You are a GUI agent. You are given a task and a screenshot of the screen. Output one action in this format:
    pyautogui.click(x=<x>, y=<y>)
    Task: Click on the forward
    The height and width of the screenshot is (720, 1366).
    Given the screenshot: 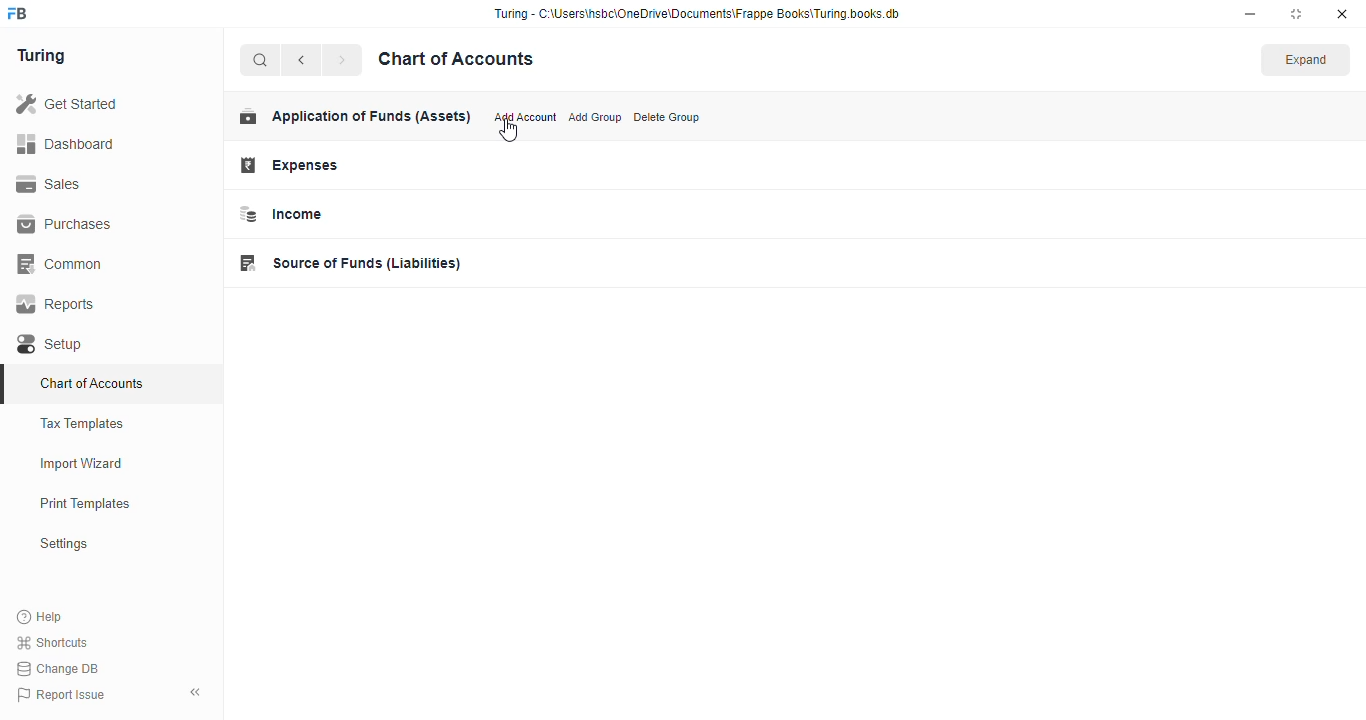 What is the action you would take?
    pyautogui.click(x=342, y=60)
    